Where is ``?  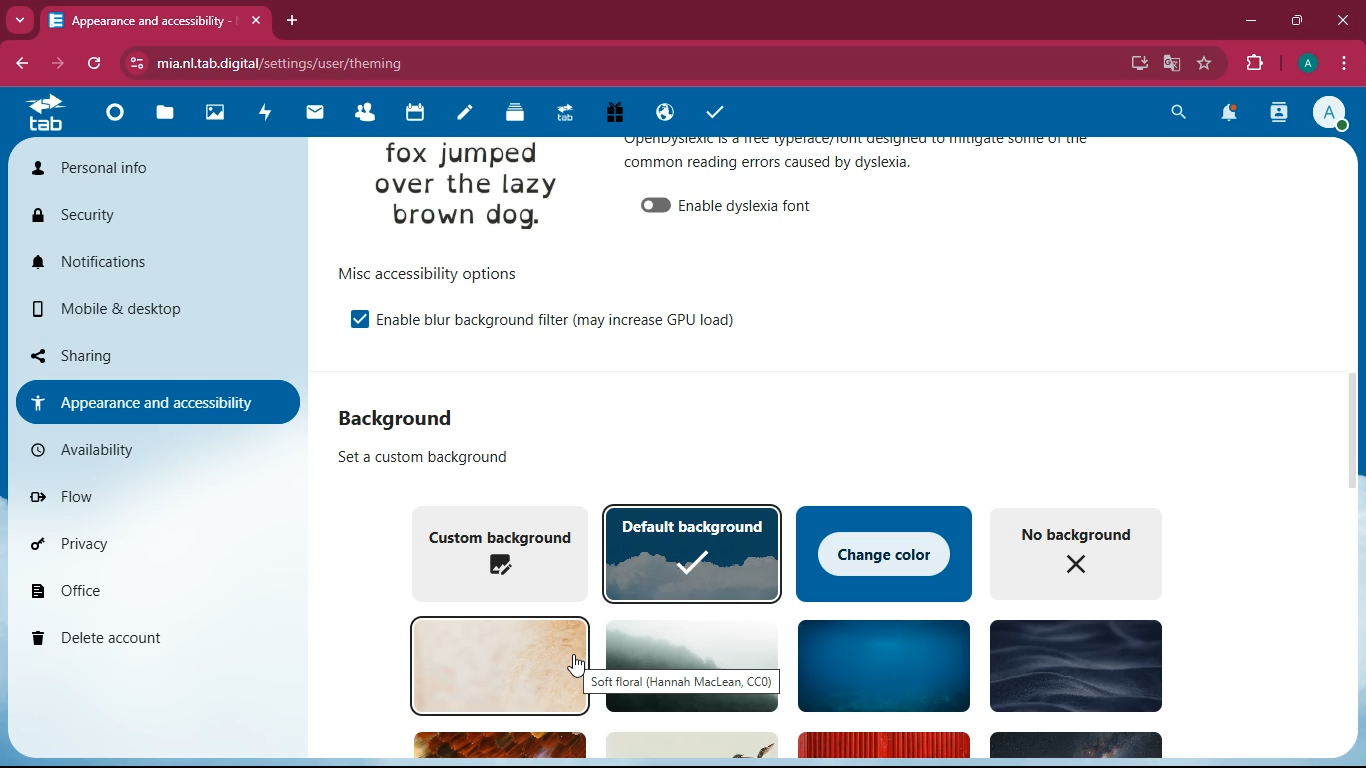
 is located at coordinates (689, 747).